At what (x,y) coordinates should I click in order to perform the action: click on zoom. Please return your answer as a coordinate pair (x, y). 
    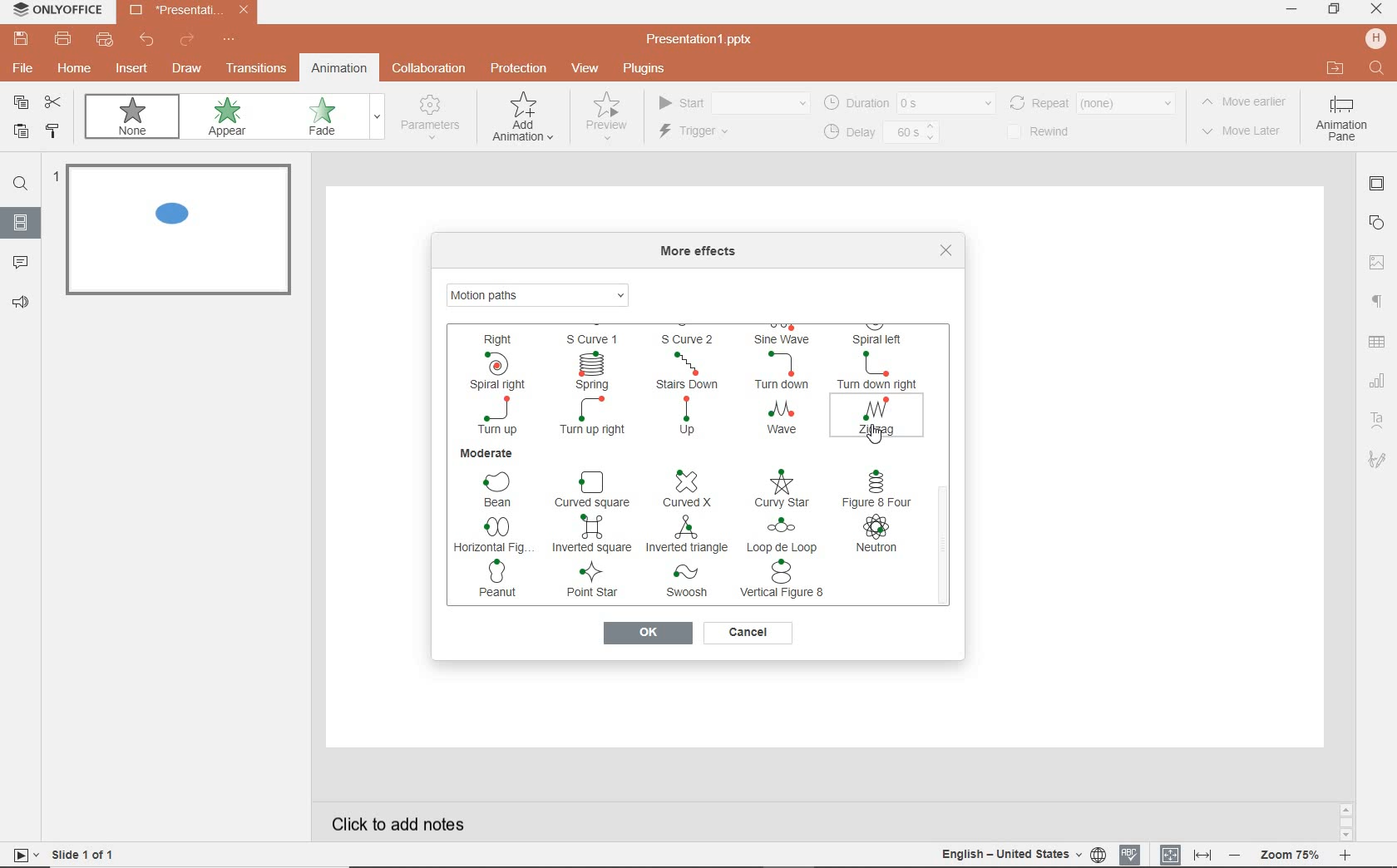
    Looking at the image, I should click on (1292, 853).